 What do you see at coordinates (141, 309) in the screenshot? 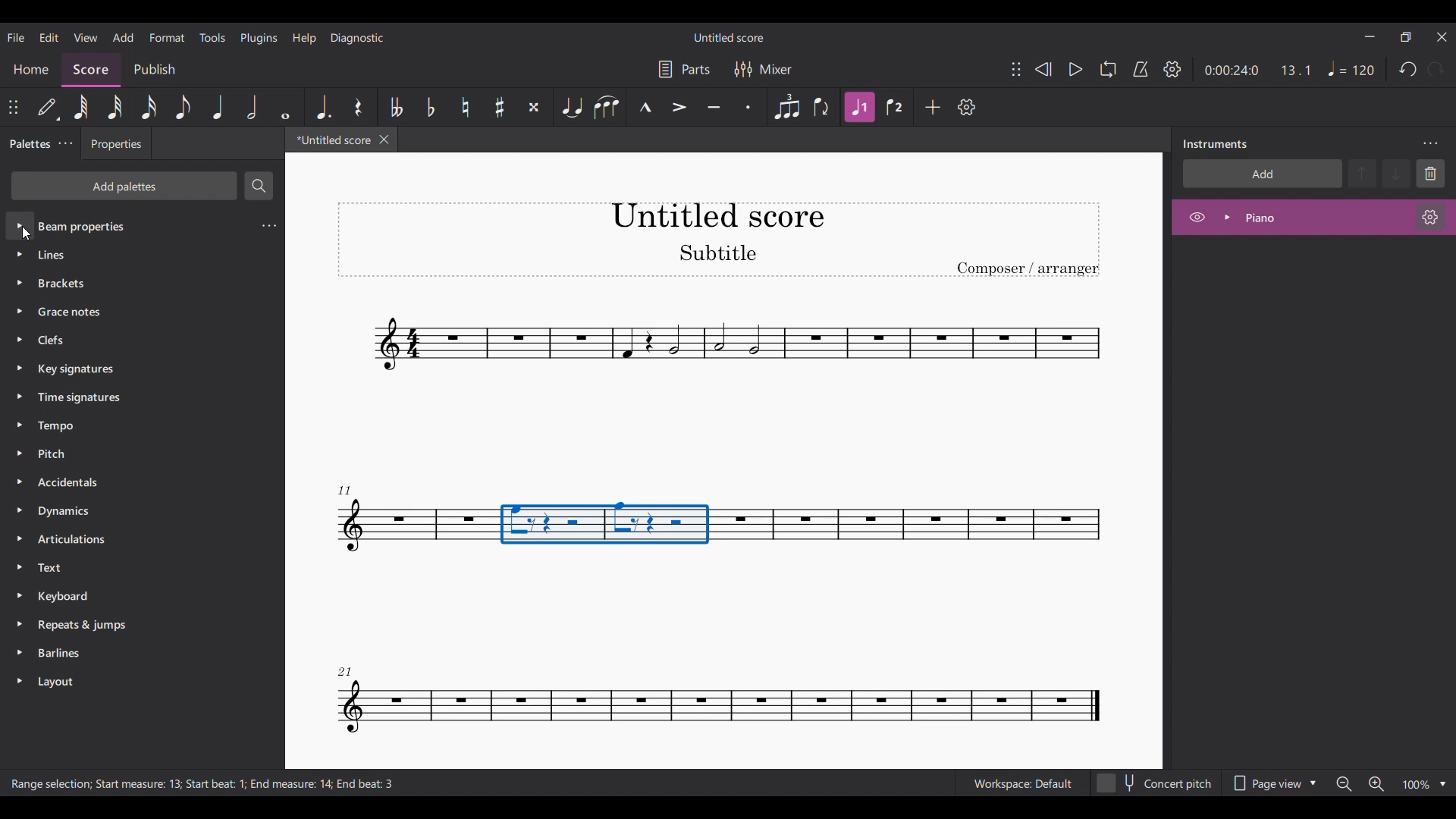
I see `Grace notes` at bounding box center [141, 309].